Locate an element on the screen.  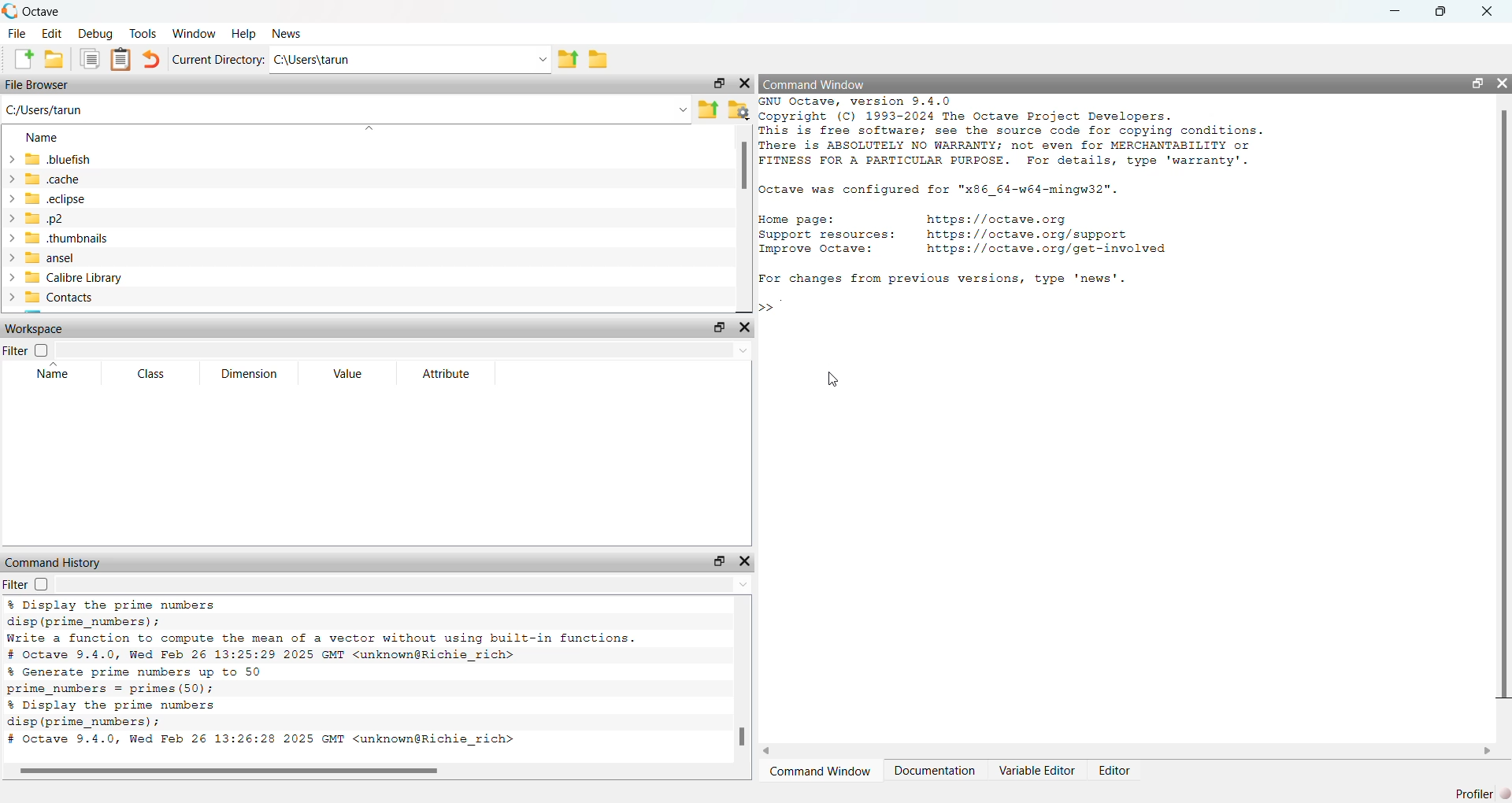
close is located at coordinates (745, 327).